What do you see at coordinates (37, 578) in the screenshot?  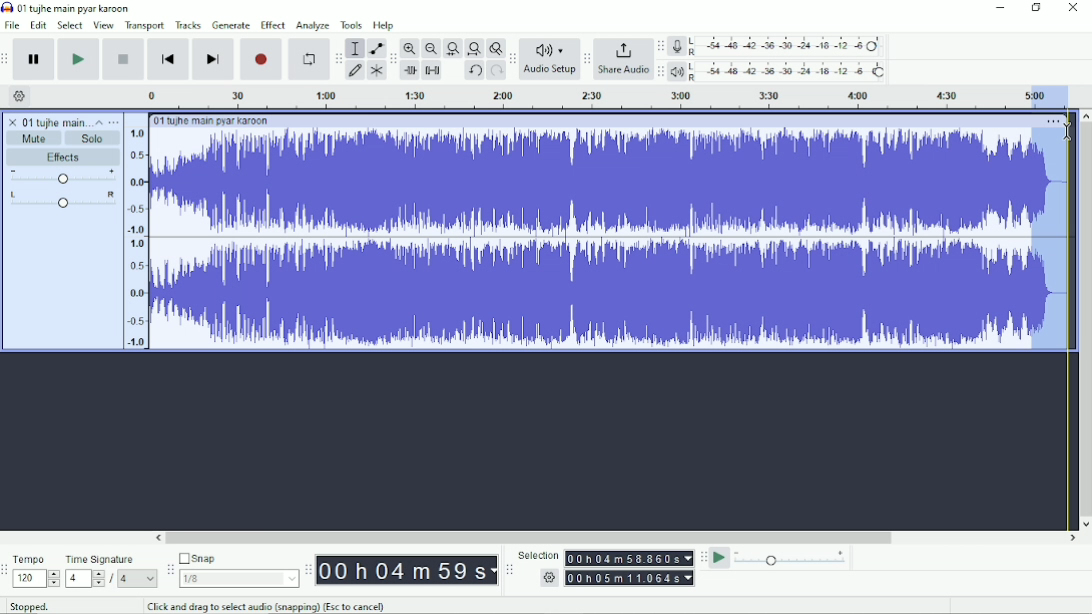 I see `120` at bounding box center [37, 578].